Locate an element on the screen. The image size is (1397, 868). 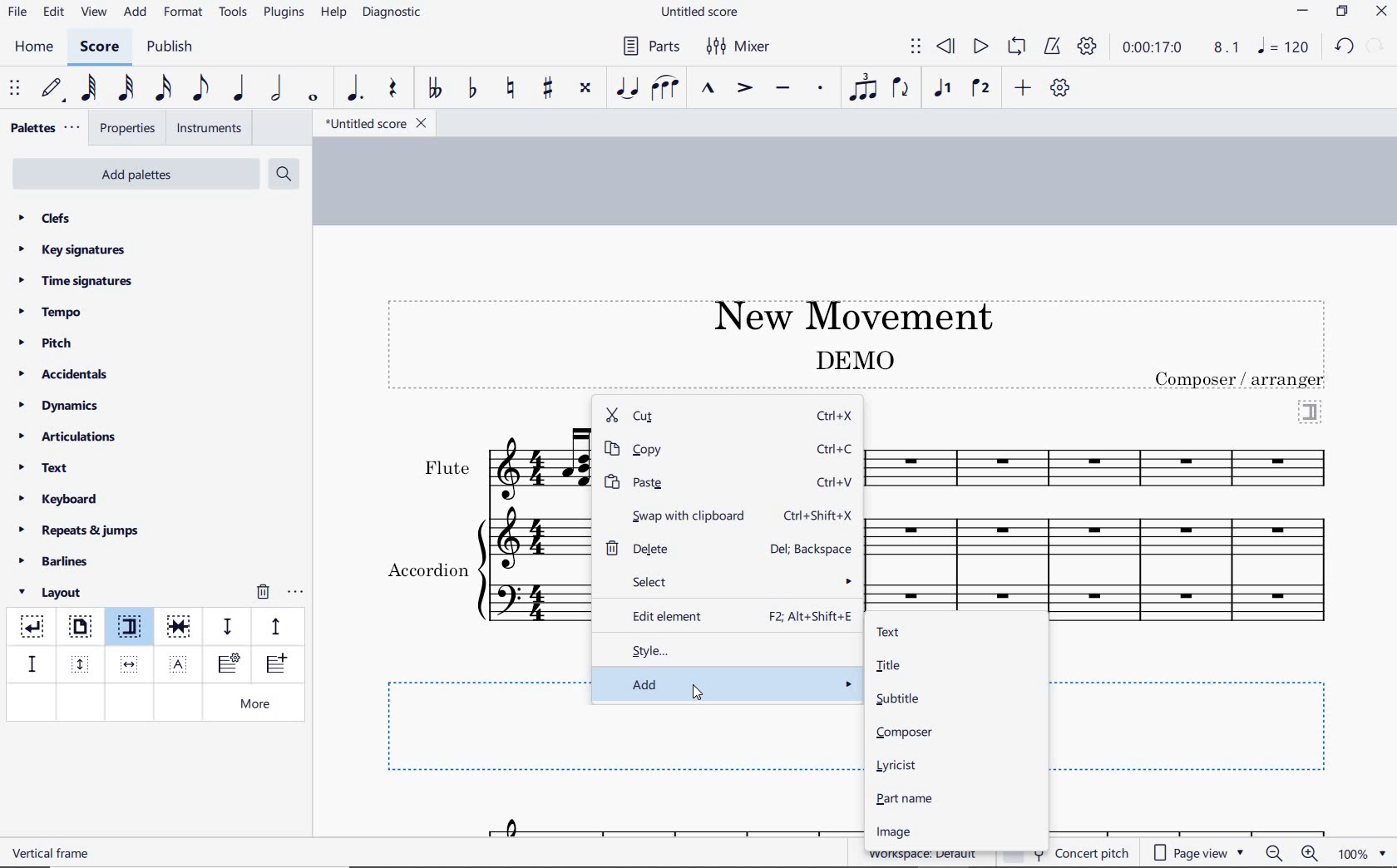
palettes is located at coordinates (43, 129).